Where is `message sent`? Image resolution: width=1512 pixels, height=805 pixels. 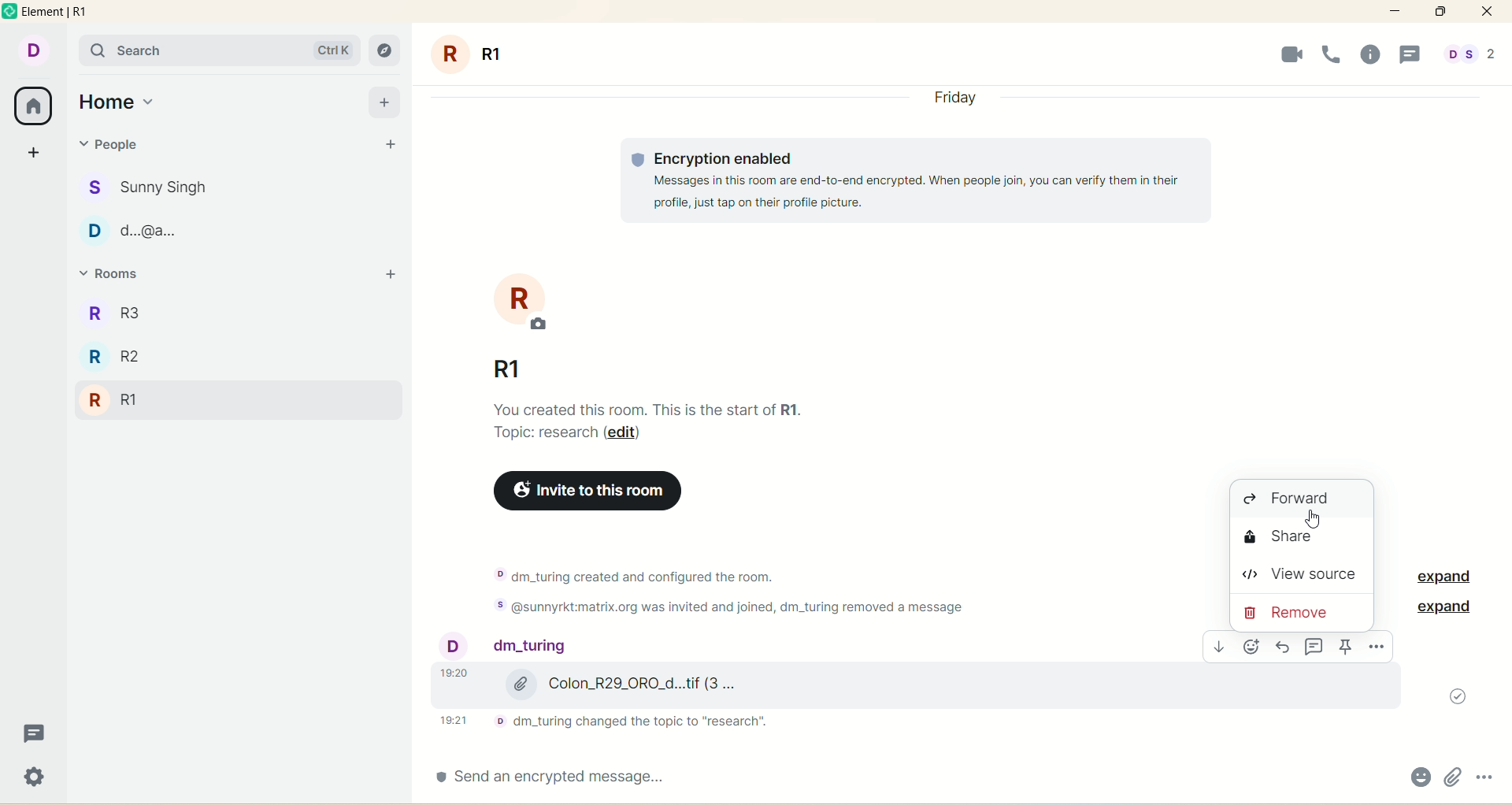 message sent is located at coordinates (1458, 696).